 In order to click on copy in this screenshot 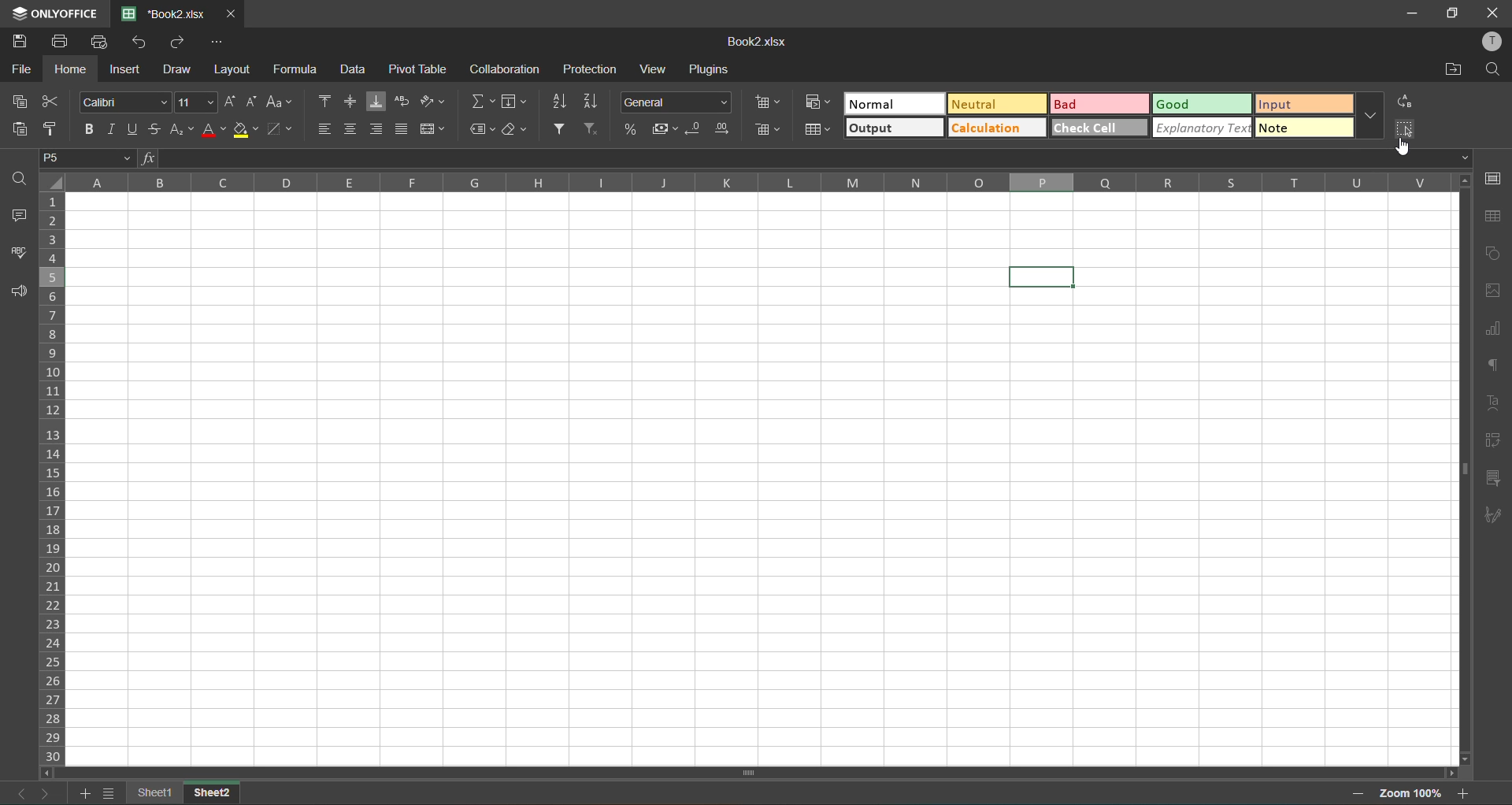, I will do `click(19, 104)`.